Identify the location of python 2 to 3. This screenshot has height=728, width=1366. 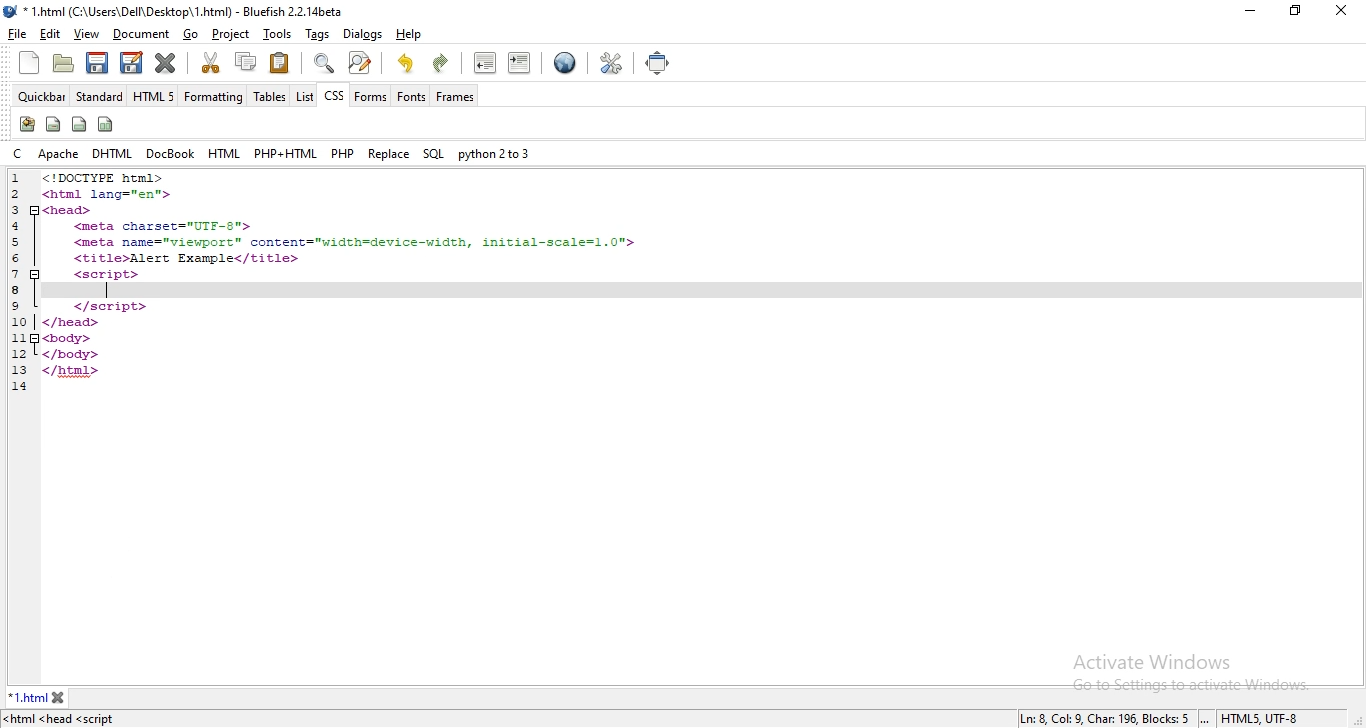
(492, 152).